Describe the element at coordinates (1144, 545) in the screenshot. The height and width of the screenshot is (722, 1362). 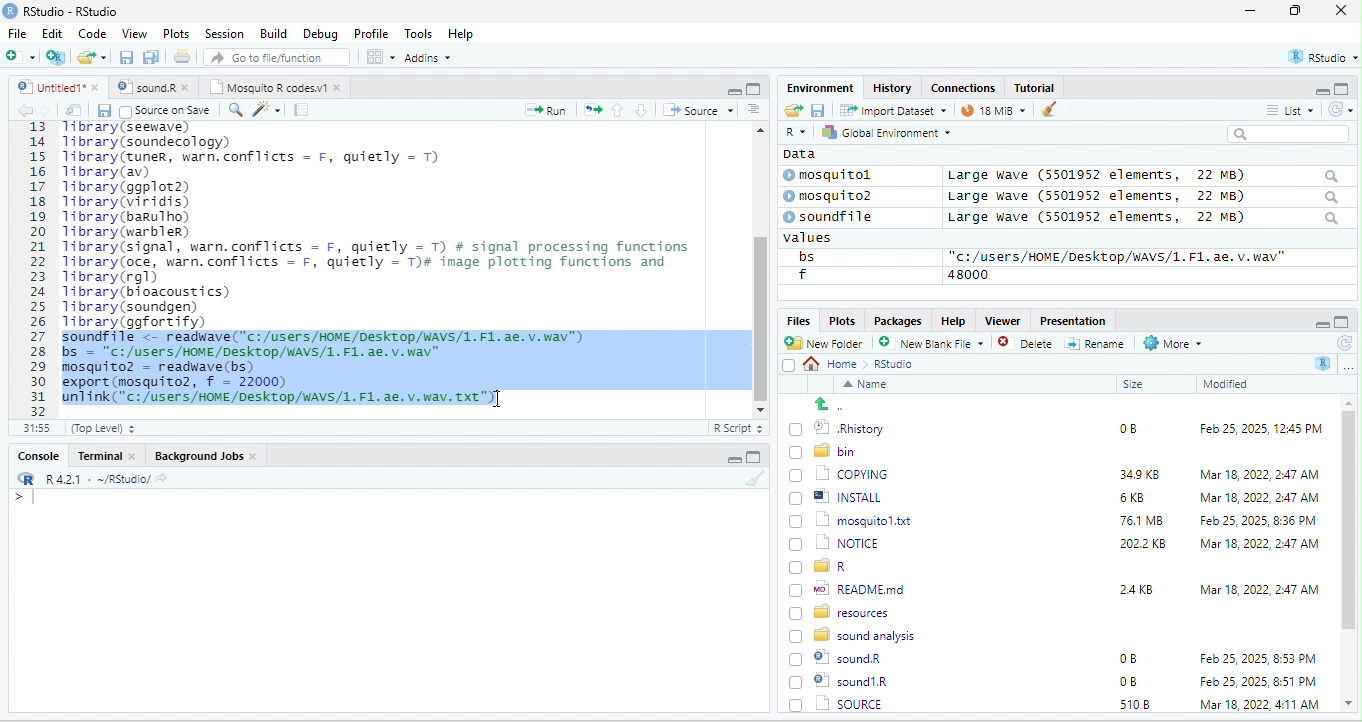
I see `2022 KB` at that location.